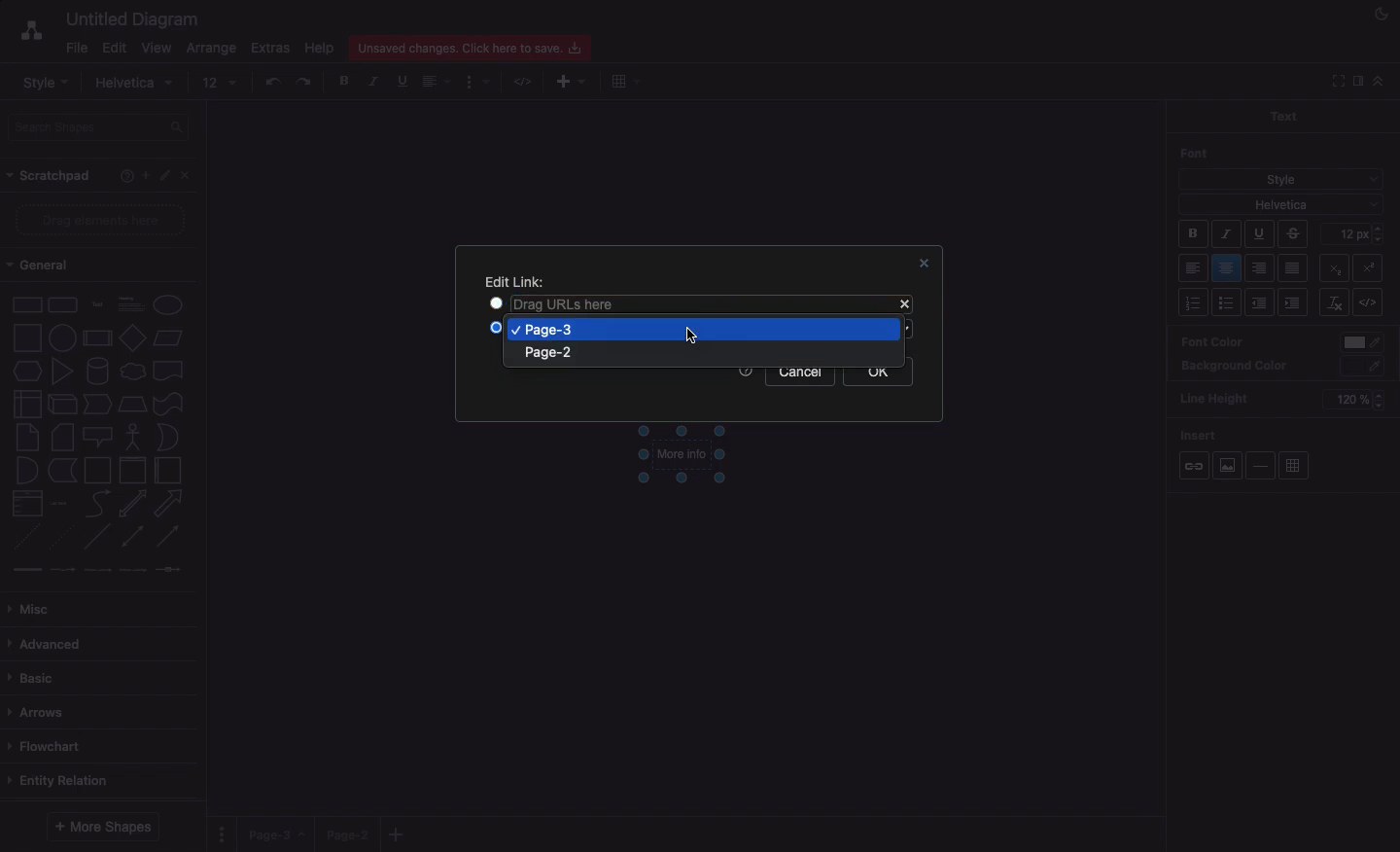  Describe the element at coordinates (305, 82) in the screenshot. I see `Redo` at that location.